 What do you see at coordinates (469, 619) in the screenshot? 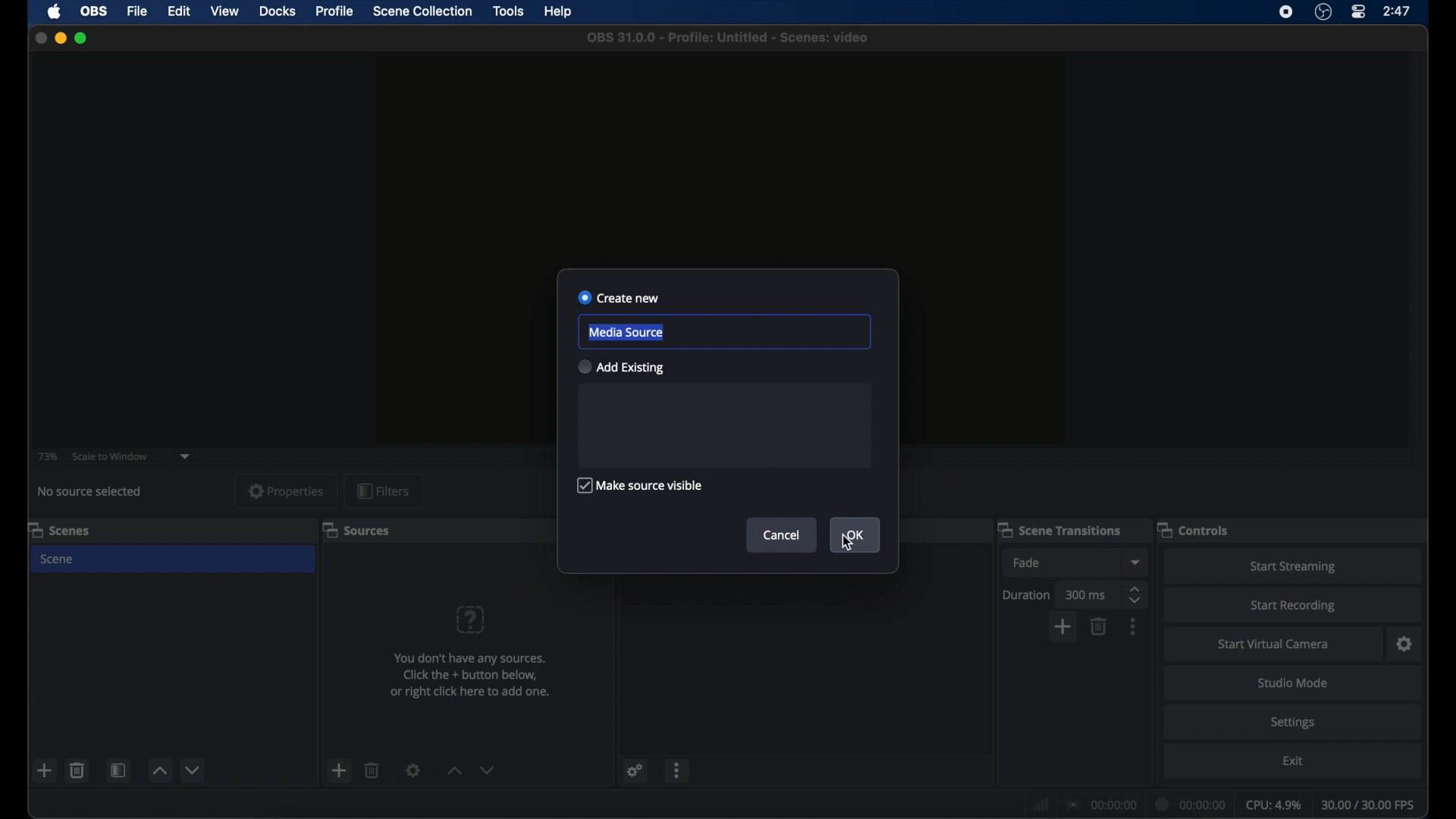
I see `question mark icon` at bounding box center [469, 619].